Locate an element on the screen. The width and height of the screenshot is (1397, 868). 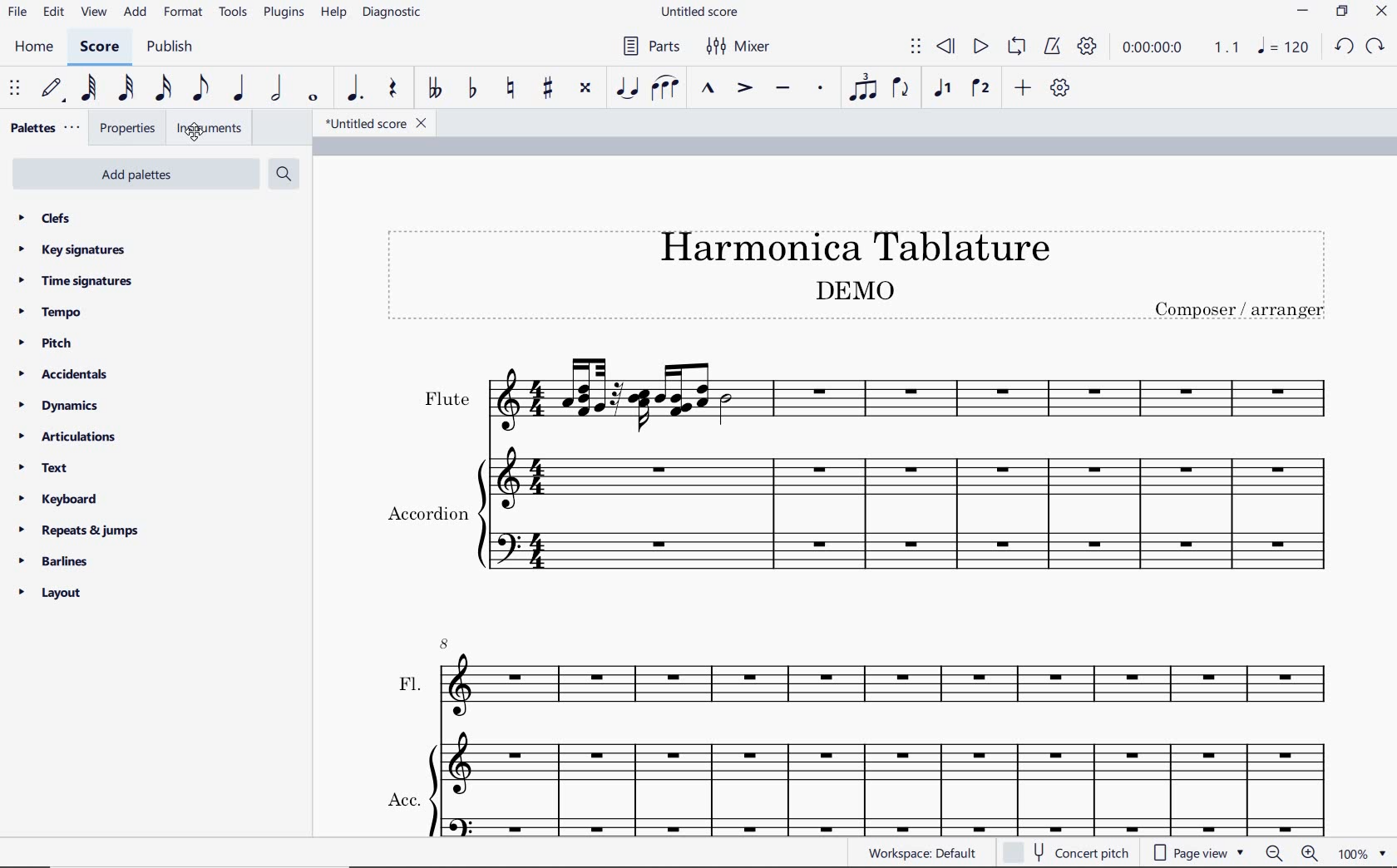
repeats & jumps is located at coordinates (81, 530).